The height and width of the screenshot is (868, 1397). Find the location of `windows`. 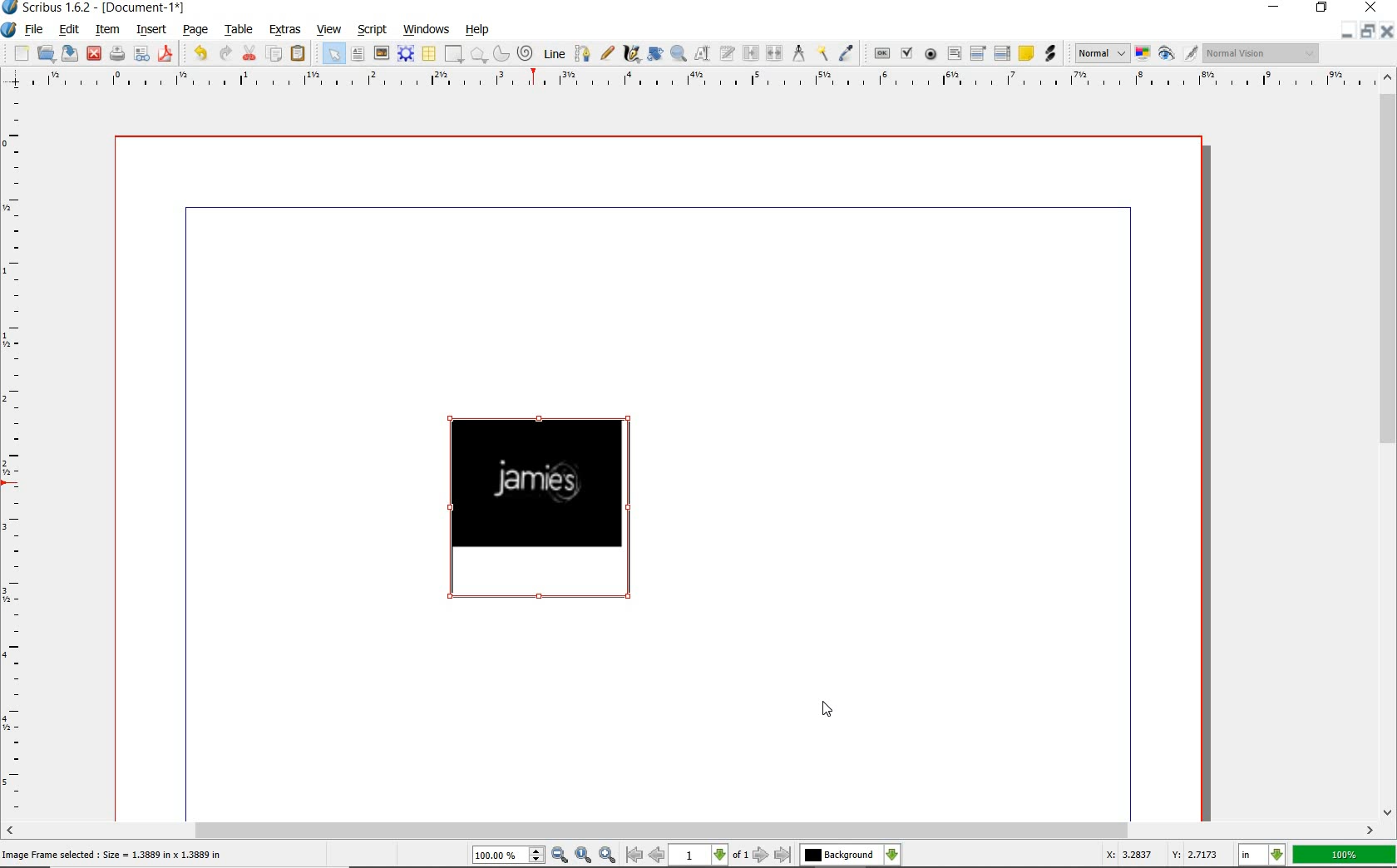

windows is located at coordinates (427, 29).